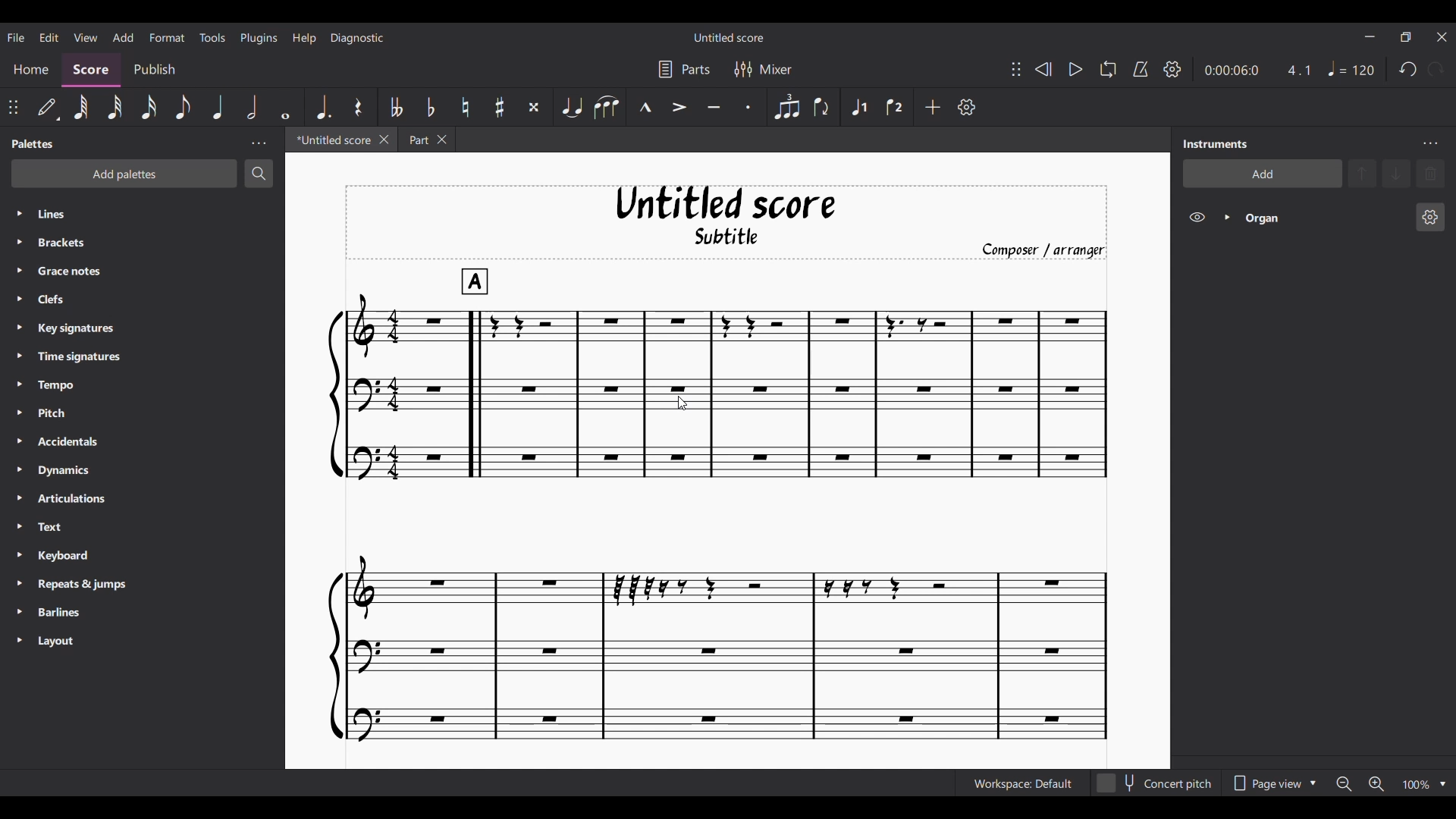 Image resolution: width=1456 pixels, height=819 pixels. I want to click on Current duration and ratio of score, so click(1257, 70).